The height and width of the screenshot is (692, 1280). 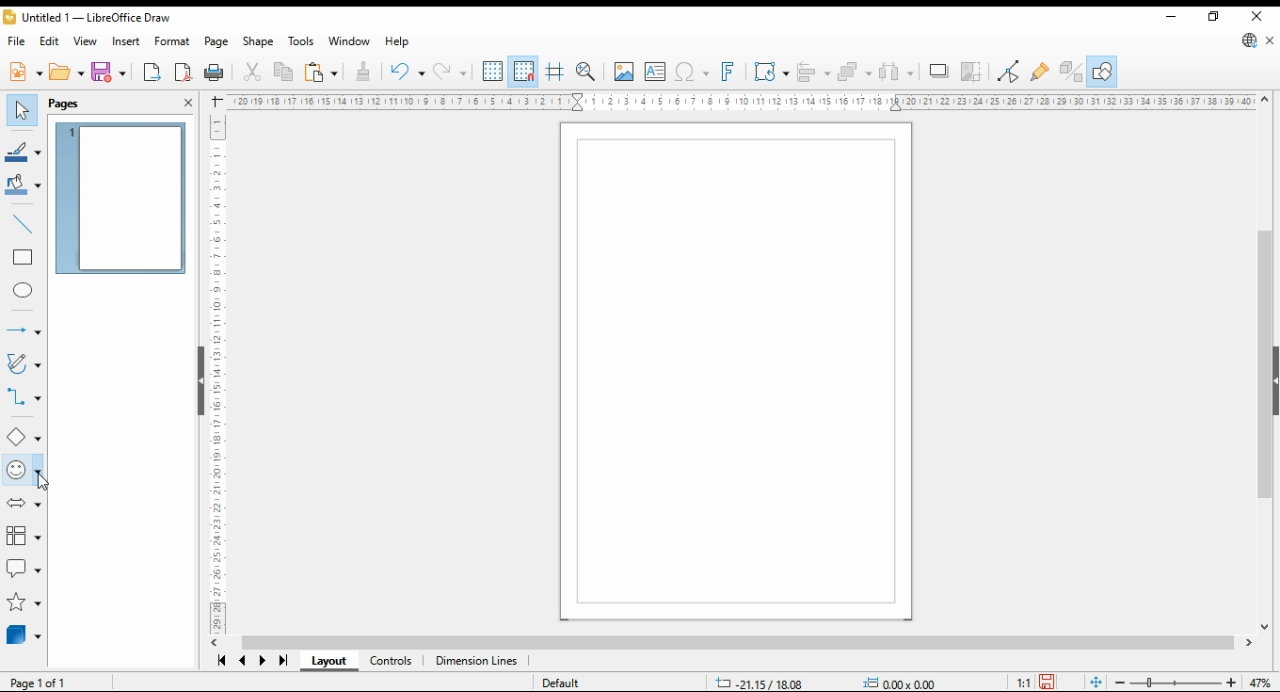 I want to click on help, so click(x=398, y=42).